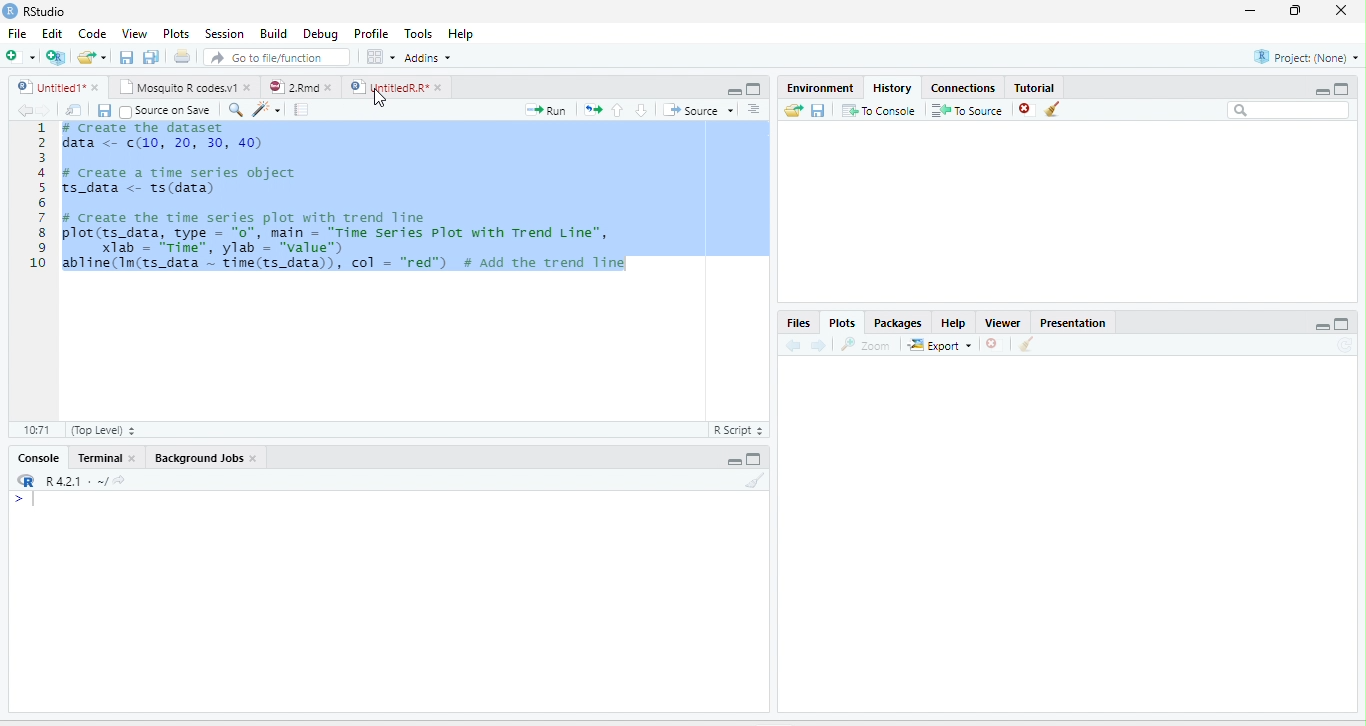  Describe the element at coordinates (1027, 344) in the screenshot. I see `Clear all plots` at that location.